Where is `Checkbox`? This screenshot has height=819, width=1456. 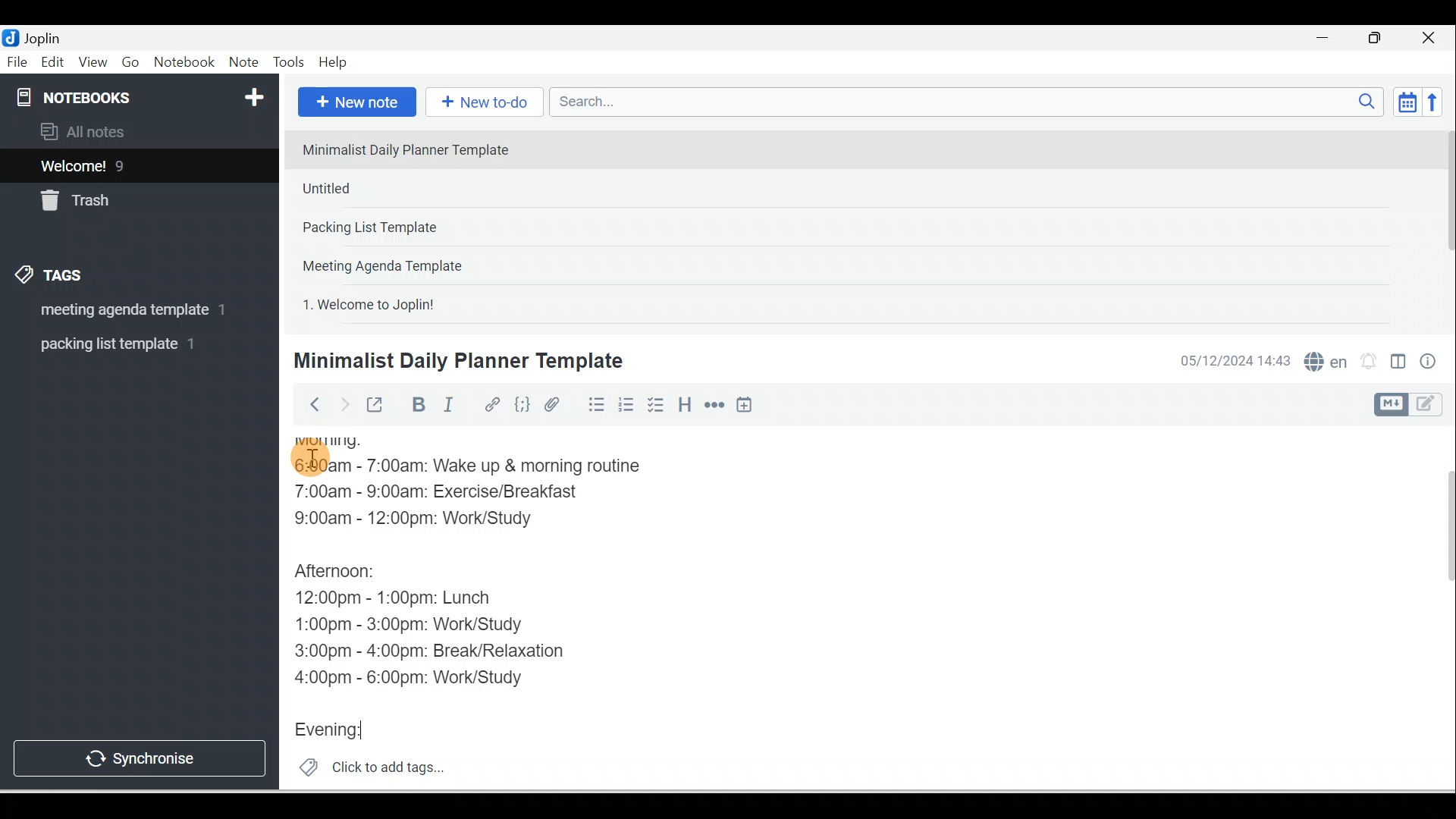 Checkbox is located at coordinates (654, 405).